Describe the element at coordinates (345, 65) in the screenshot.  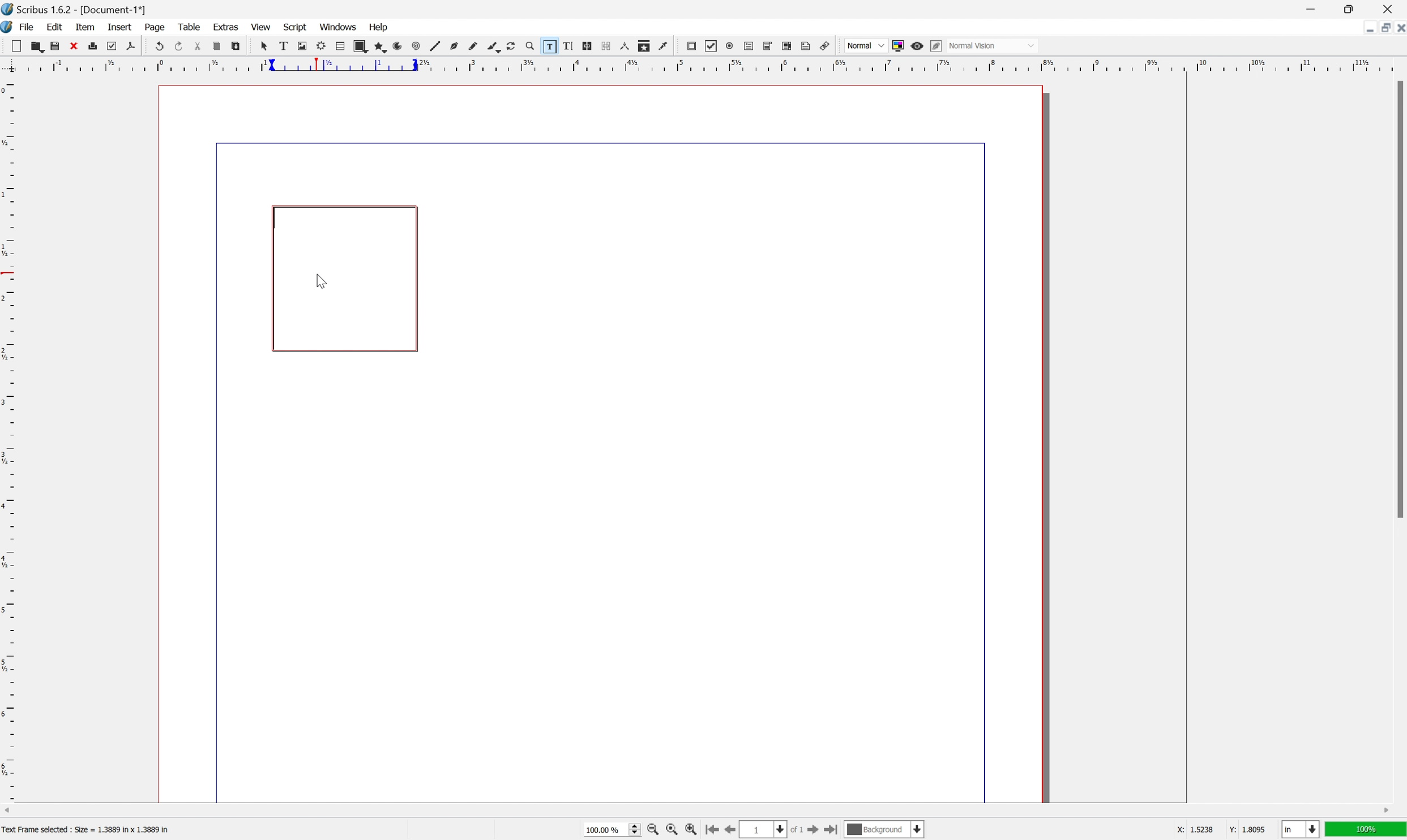
I see `scale selected` at that location.